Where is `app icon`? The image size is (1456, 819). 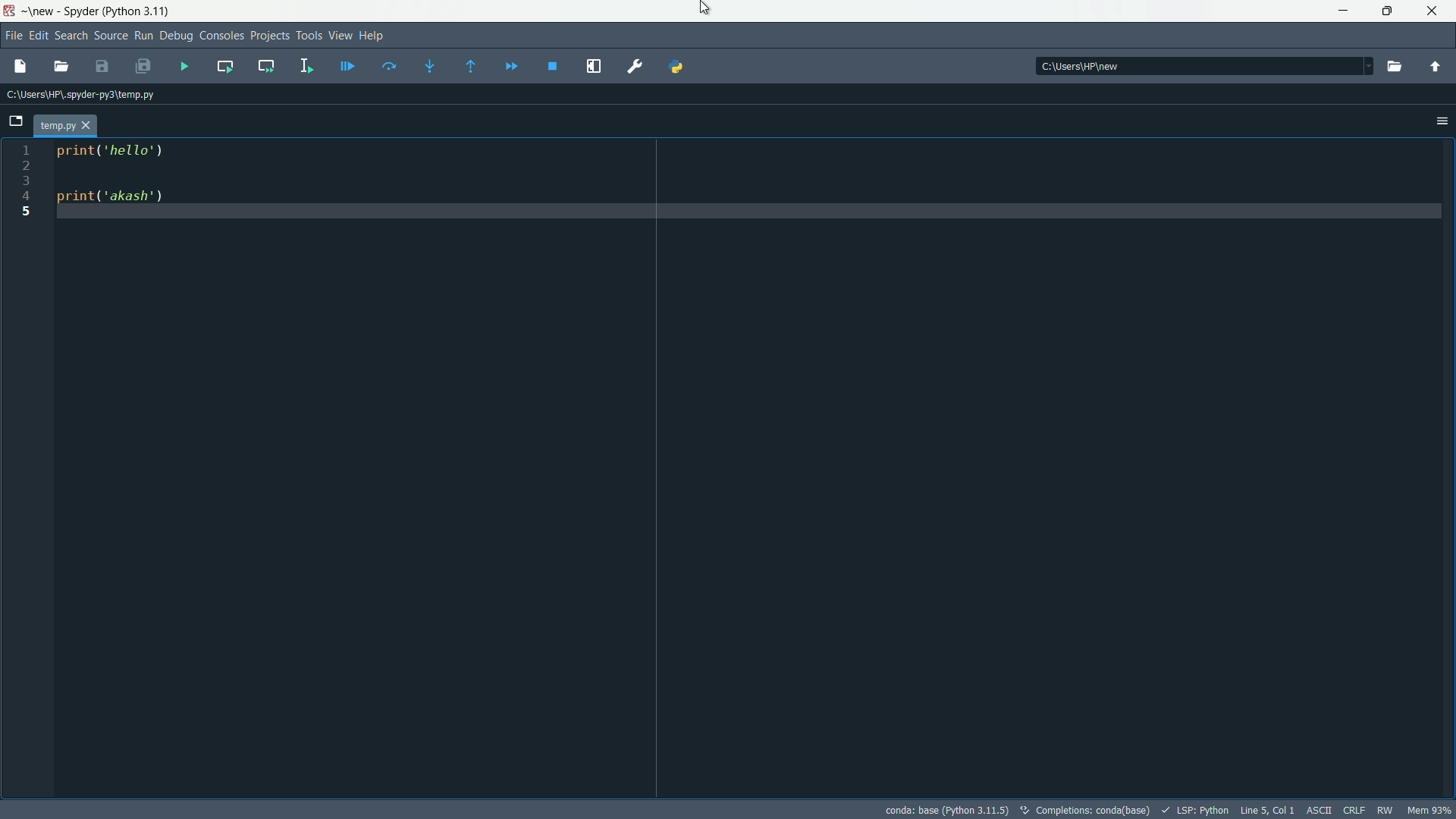 app icon is located at coordinates (9, 11).